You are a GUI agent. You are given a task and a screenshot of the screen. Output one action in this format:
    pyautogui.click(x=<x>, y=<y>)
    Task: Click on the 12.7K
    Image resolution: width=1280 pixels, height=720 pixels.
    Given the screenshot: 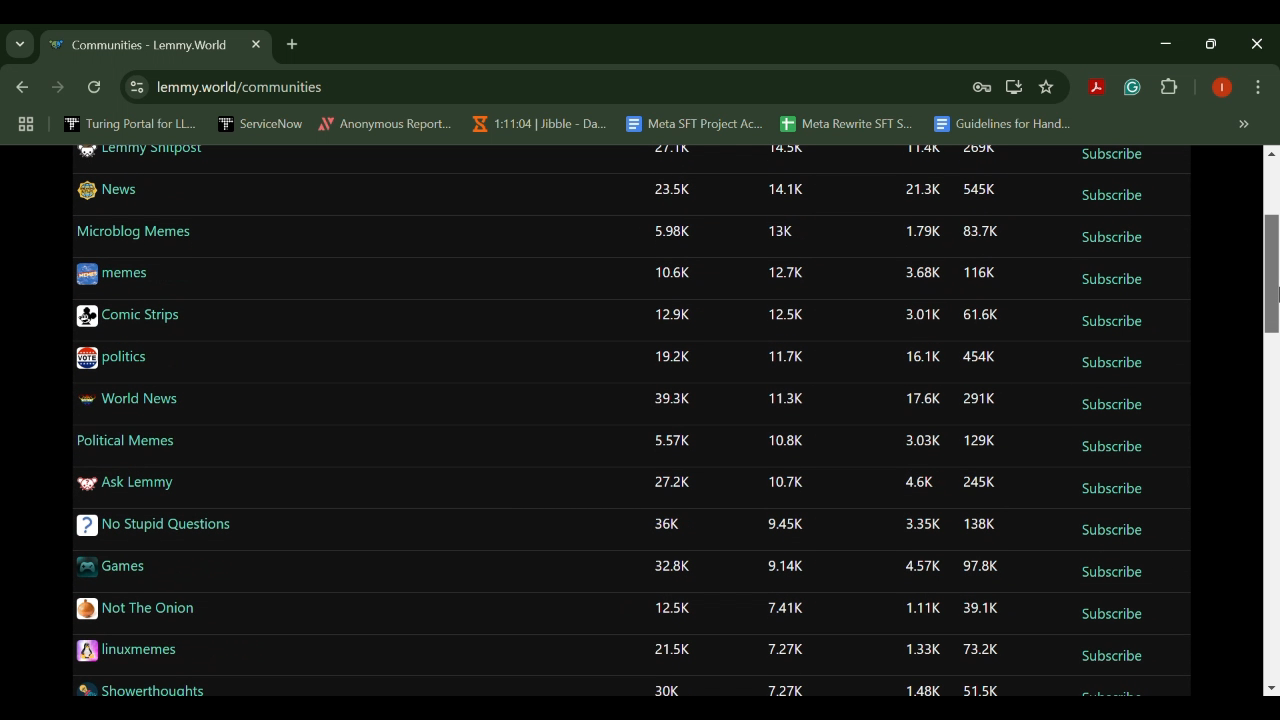 What is the action you would take?
    pyautogui.click(x=785, y=273)
    